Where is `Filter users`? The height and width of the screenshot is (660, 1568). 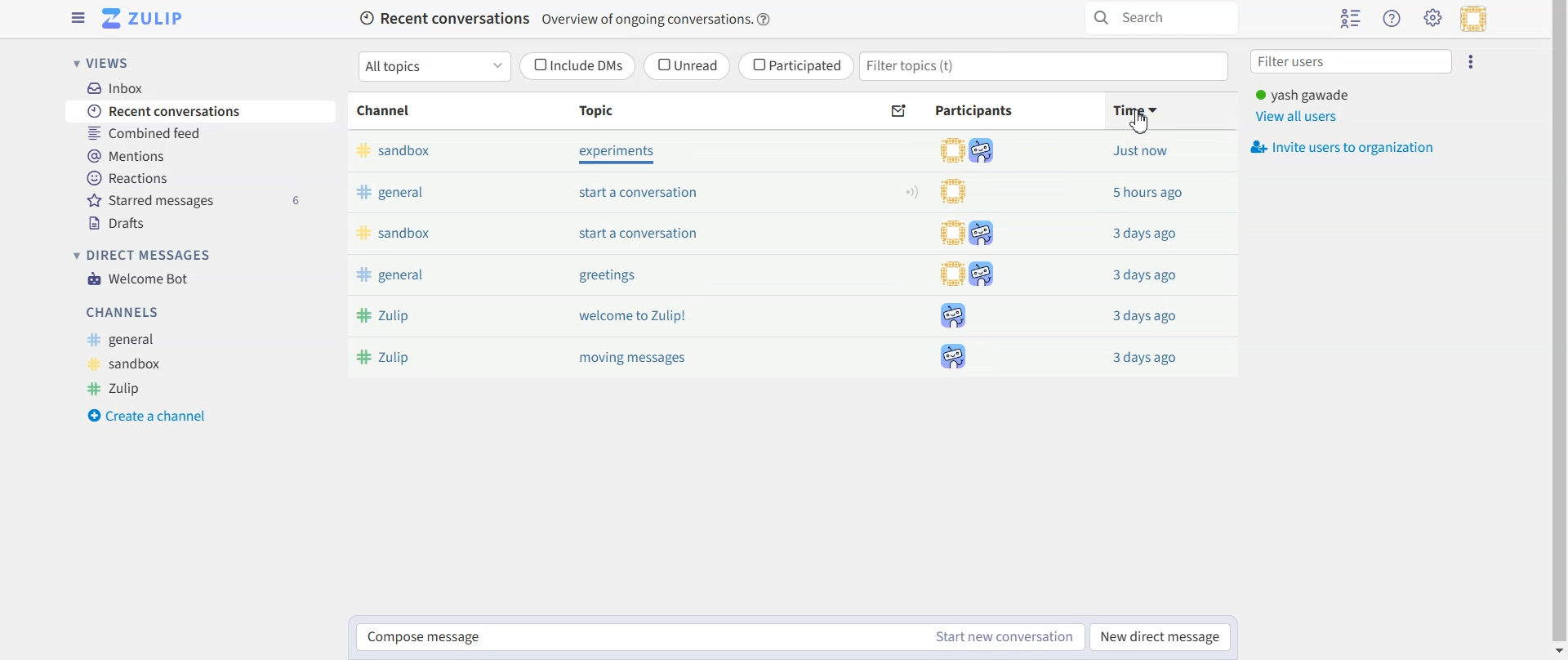
Filter users is located at coordinates (1353, 60).